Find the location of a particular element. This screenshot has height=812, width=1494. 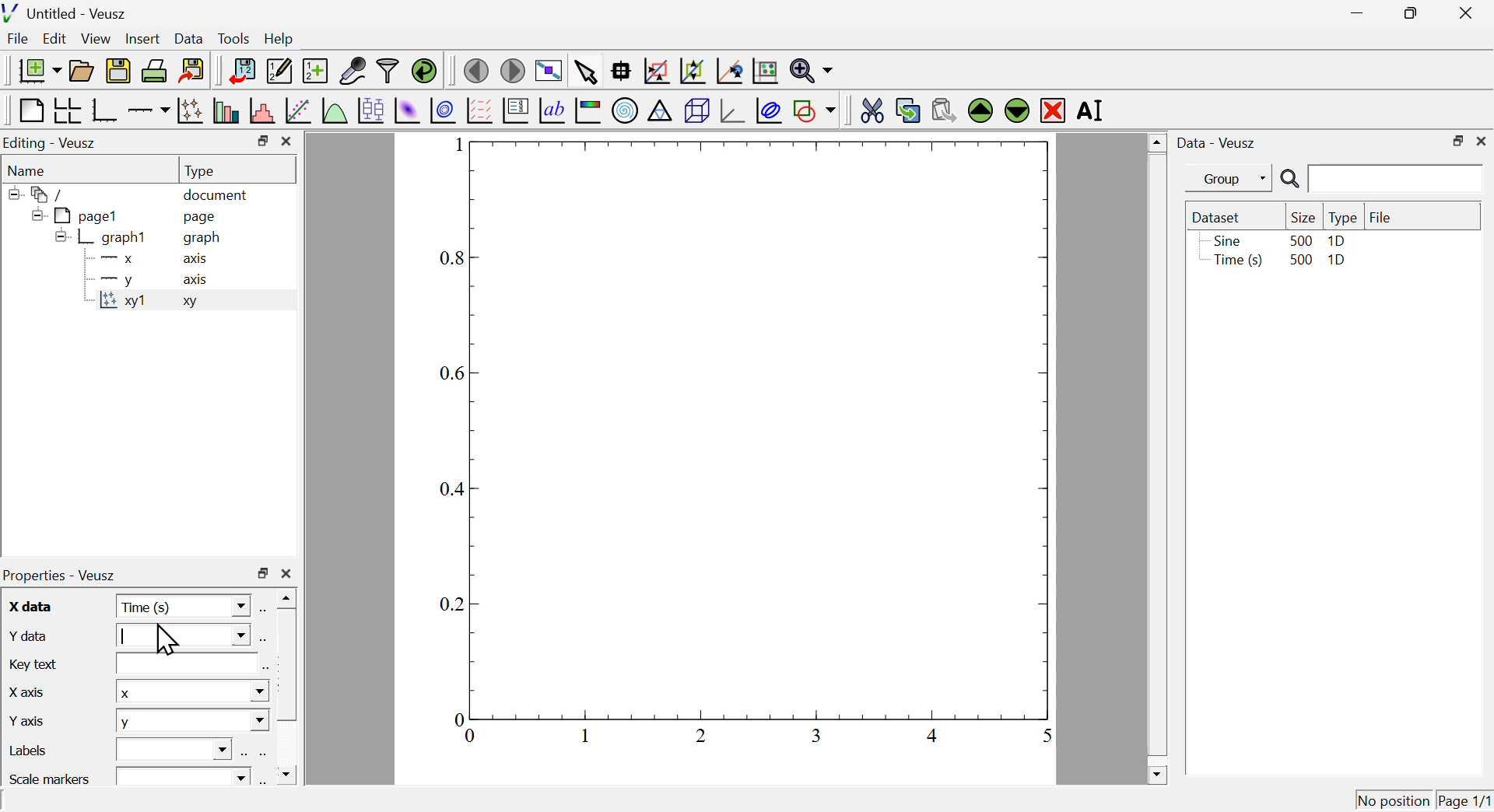

filter data is located at coordinates (388, 72).